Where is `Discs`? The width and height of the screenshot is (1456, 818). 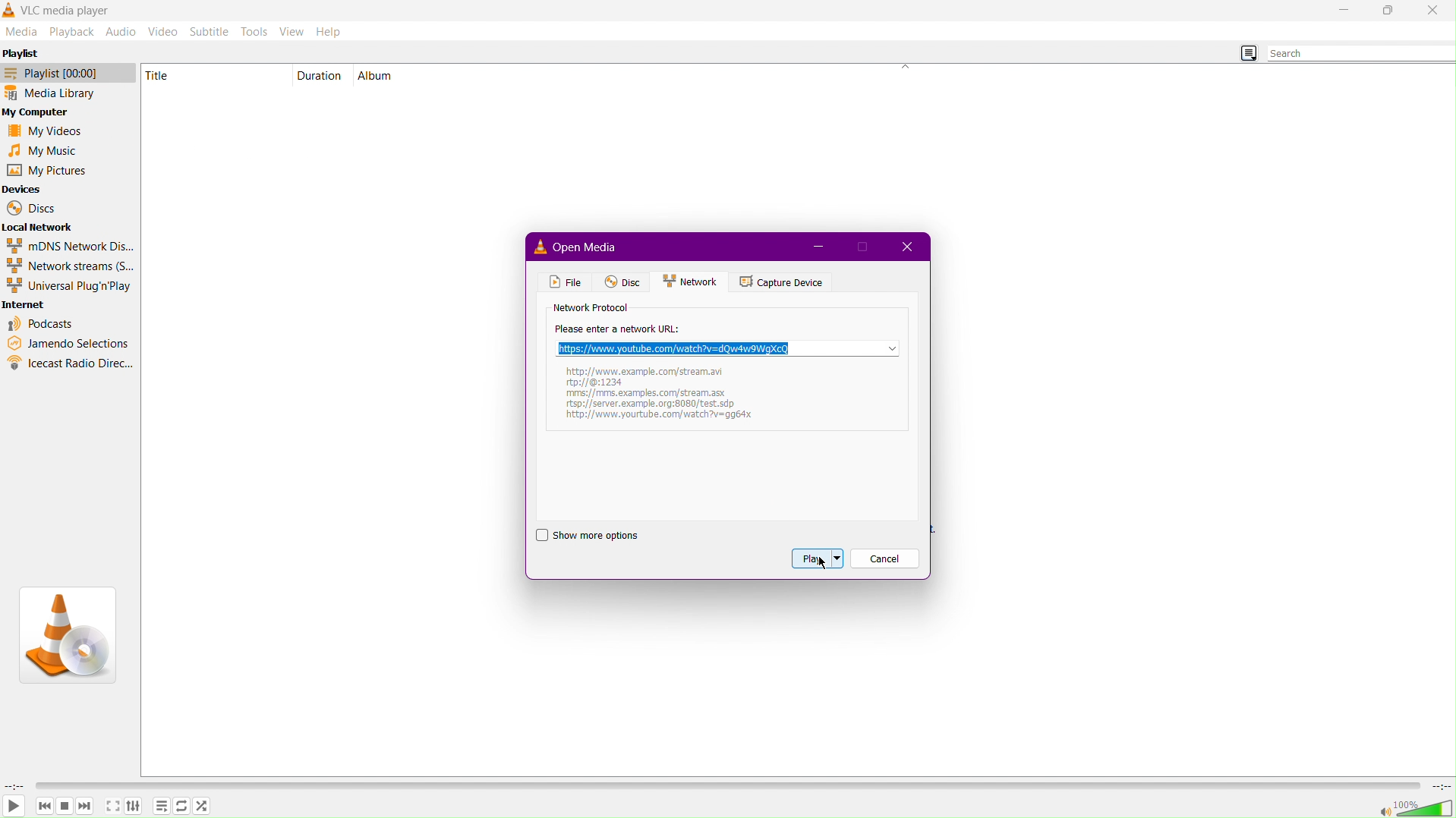 Discs is located at coordinates (32, 209).